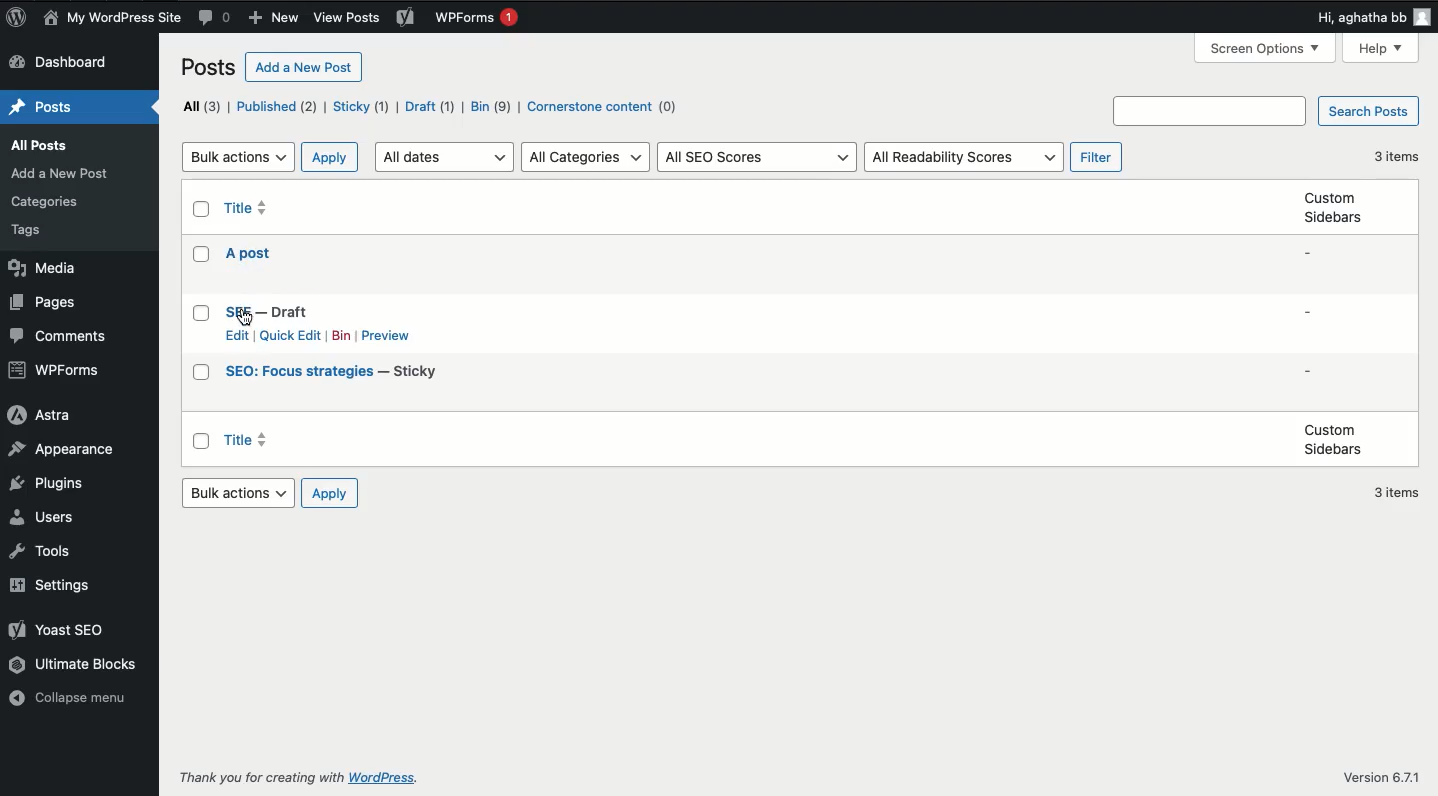 The width and height of the screenshot is (1438, 796). I want to click on Comments, so click(57, 334).